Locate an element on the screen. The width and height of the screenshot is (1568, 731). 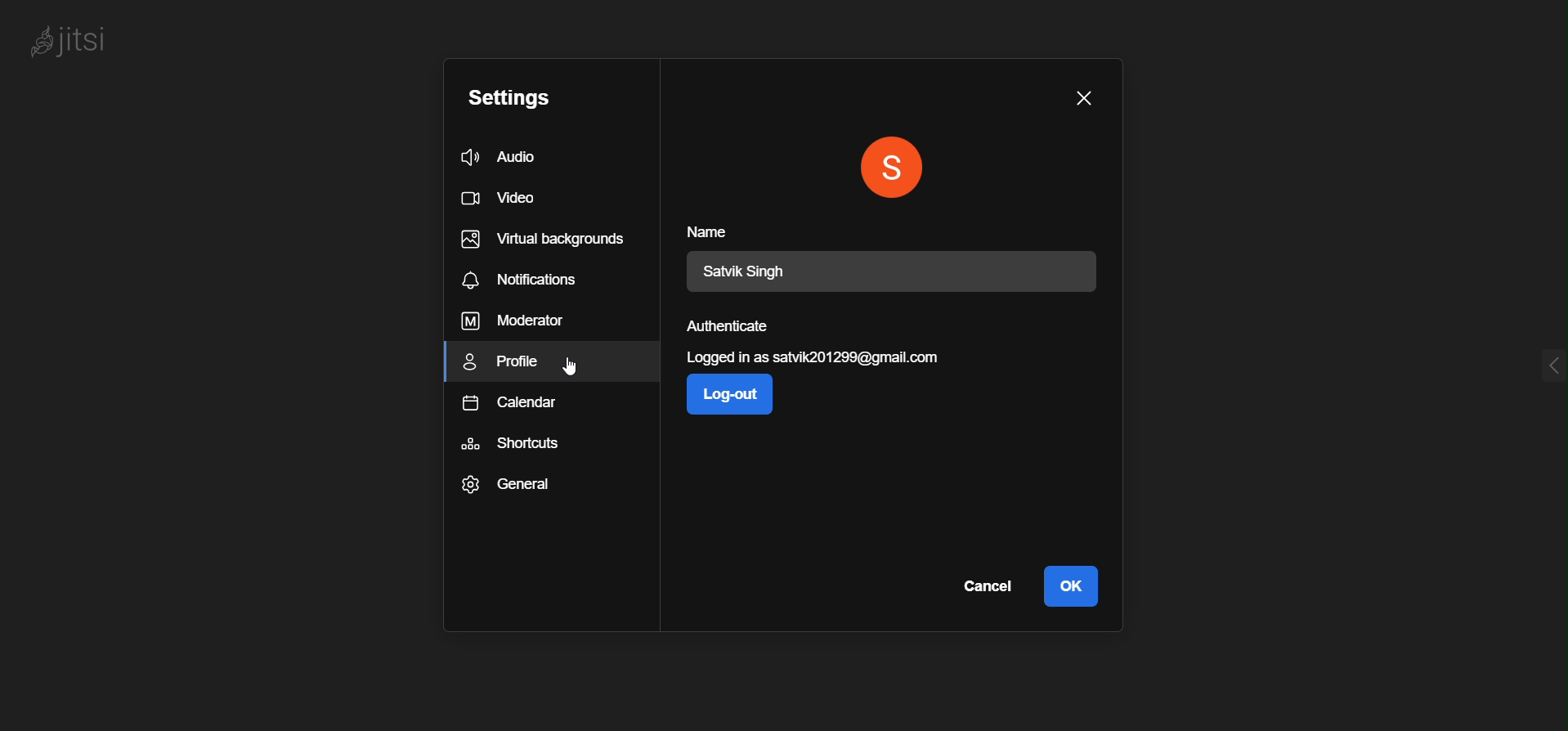
virtual backgrounds is located at coordinates (548, 240).